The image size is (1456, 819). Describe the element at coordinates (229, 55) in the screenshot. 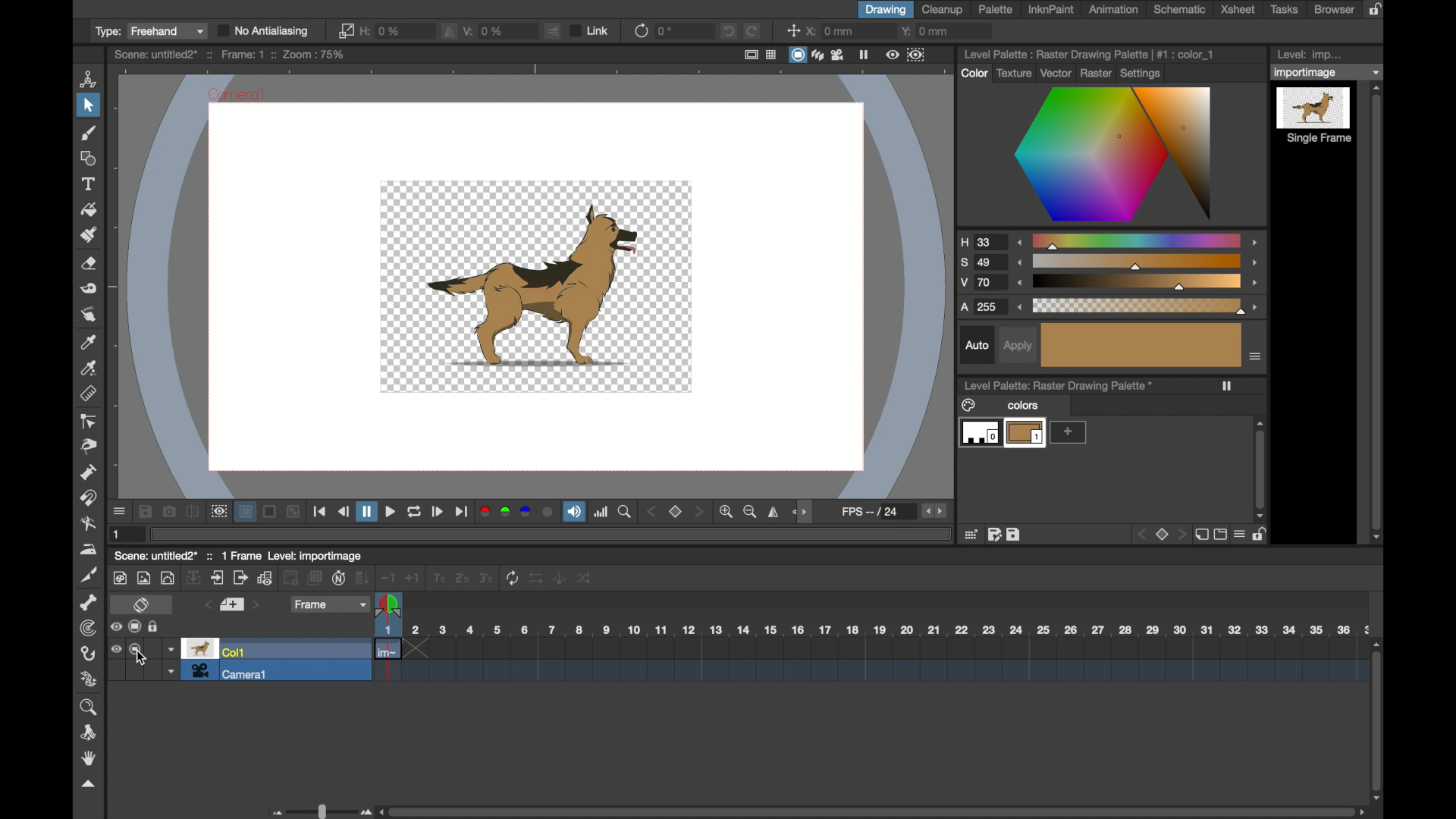

I see `Scene: untitled2* :: Frame: 1 :: Zoom: 75%` at that location.